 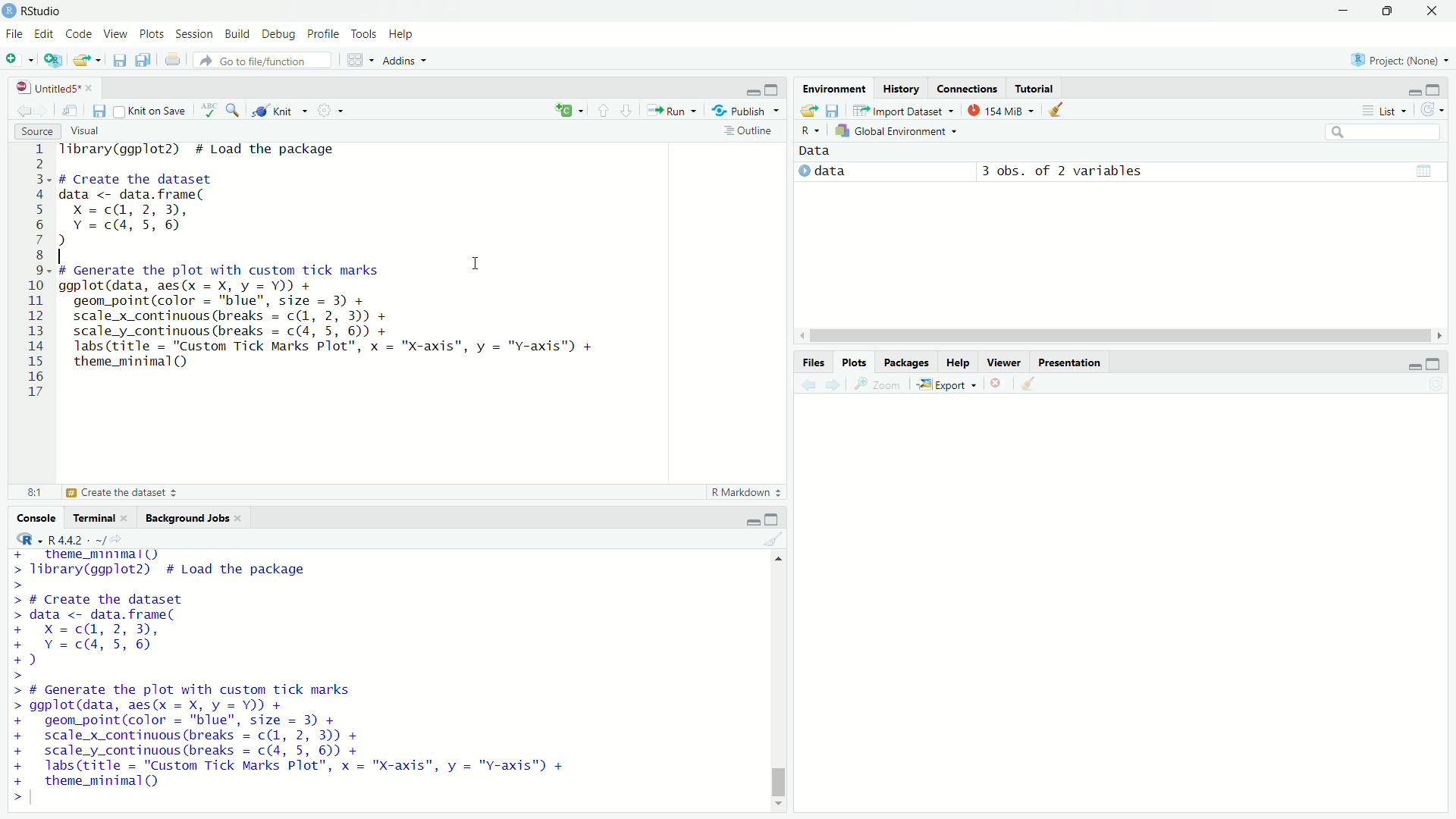 What do you see at coordinates (404, 33) in the screenshot?
I see `help` at bounding box center [404, 33].